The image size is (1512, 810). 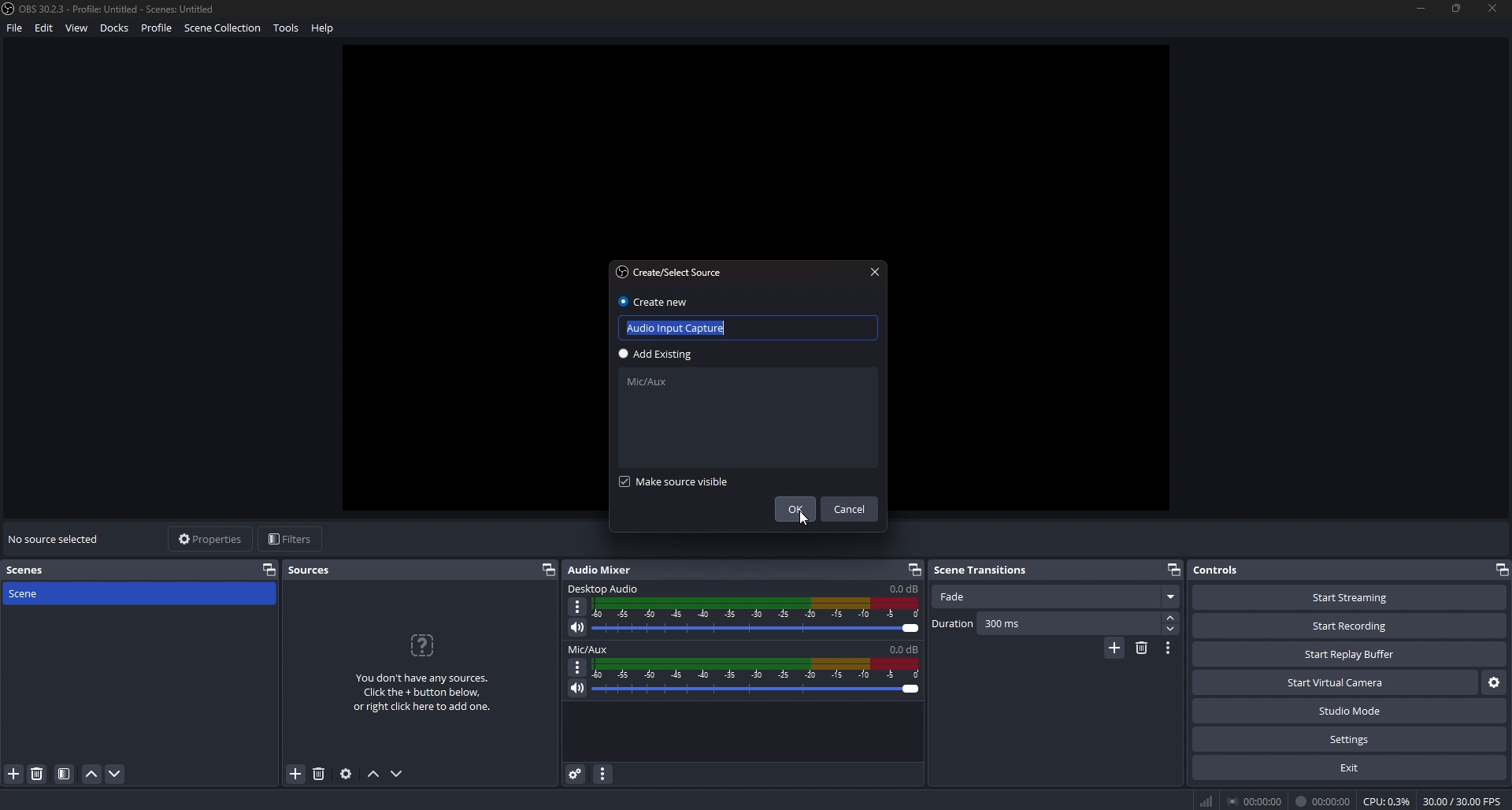 I want to click on close, so click(x=1493, y=10).